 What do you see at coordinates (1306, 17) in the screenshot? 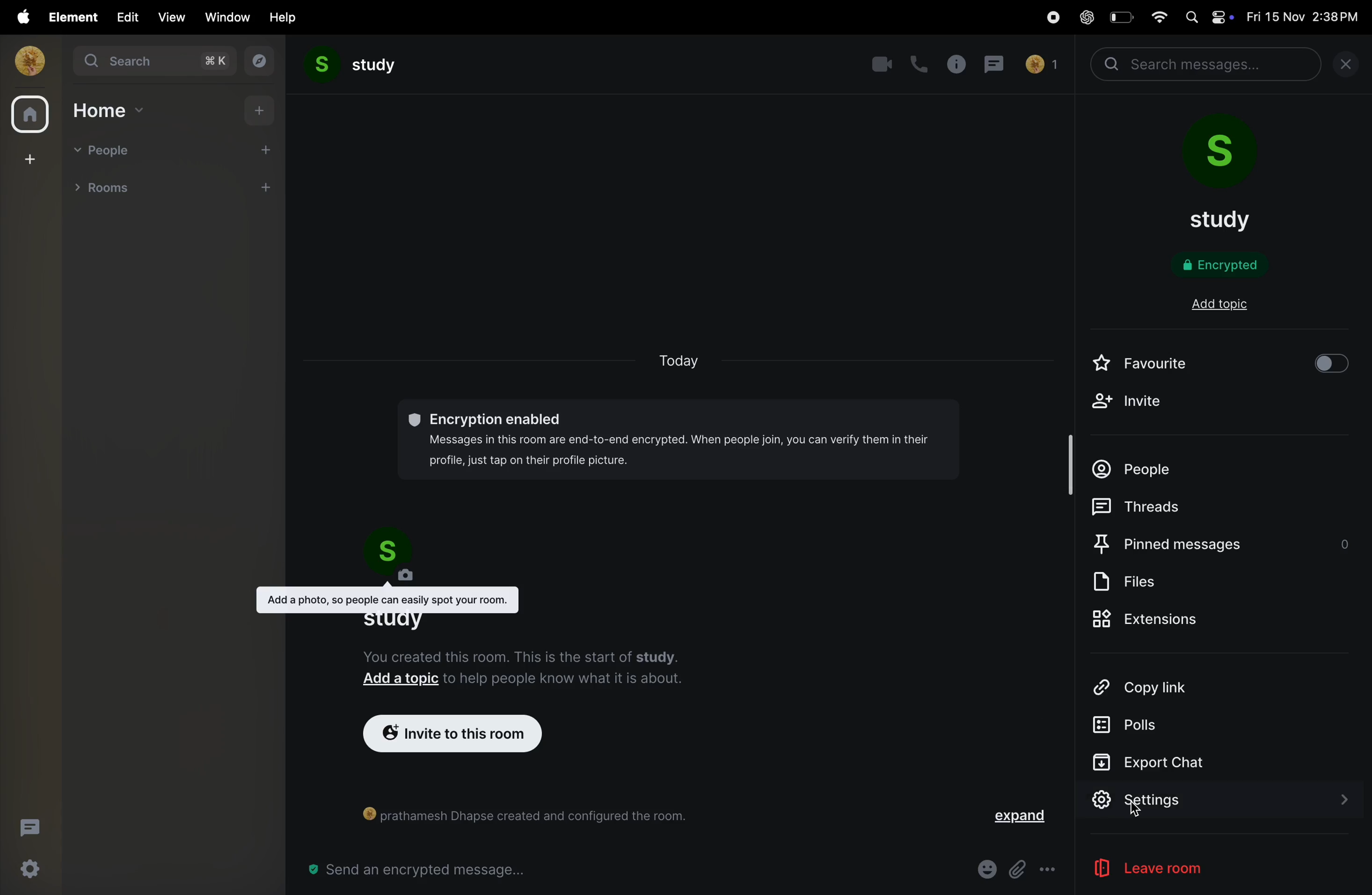
I see `date and time` at bounding box center [1306, 17].